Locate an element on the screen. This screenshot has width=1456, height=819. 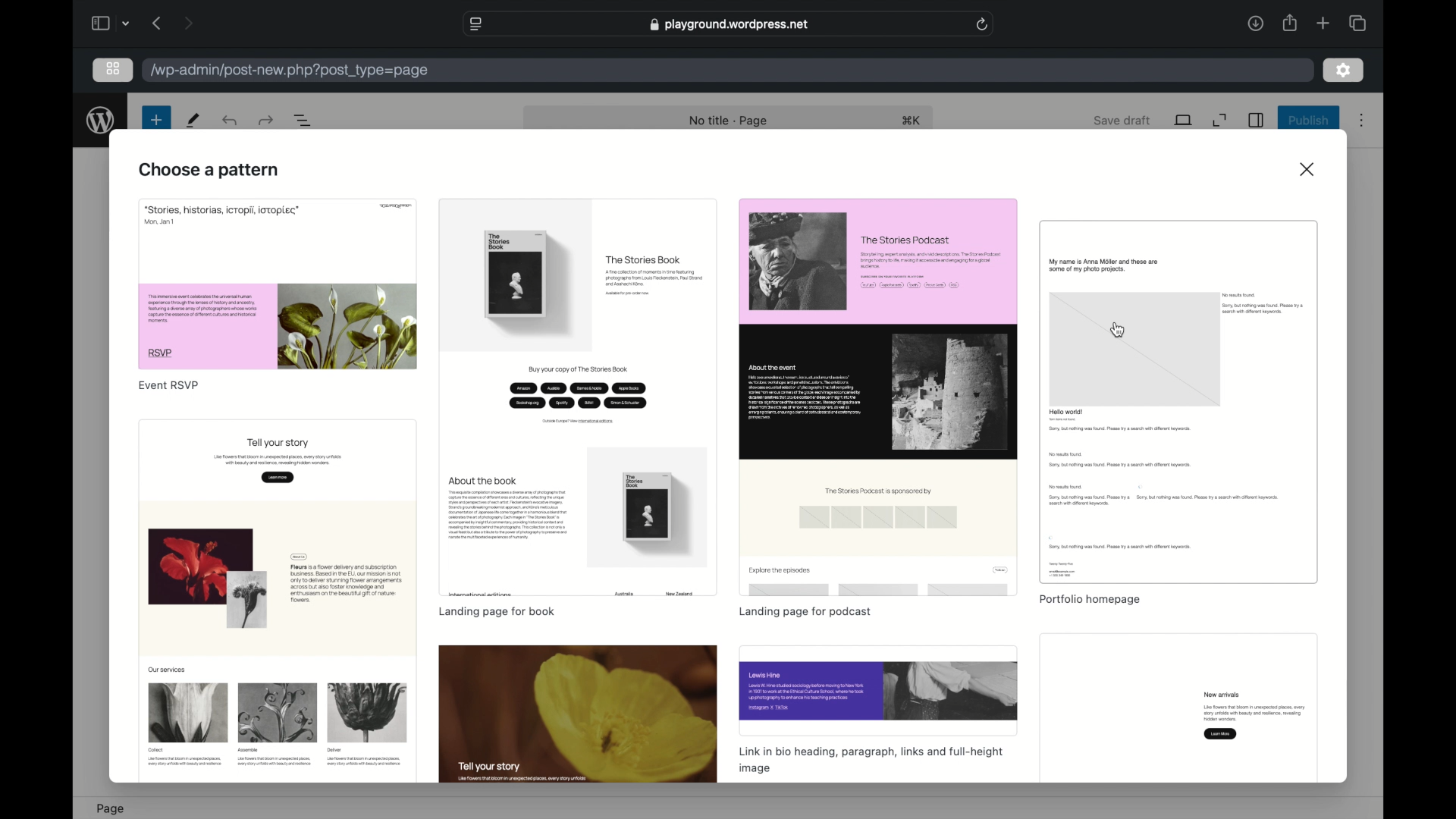
new is located at coordinates (193, 120).